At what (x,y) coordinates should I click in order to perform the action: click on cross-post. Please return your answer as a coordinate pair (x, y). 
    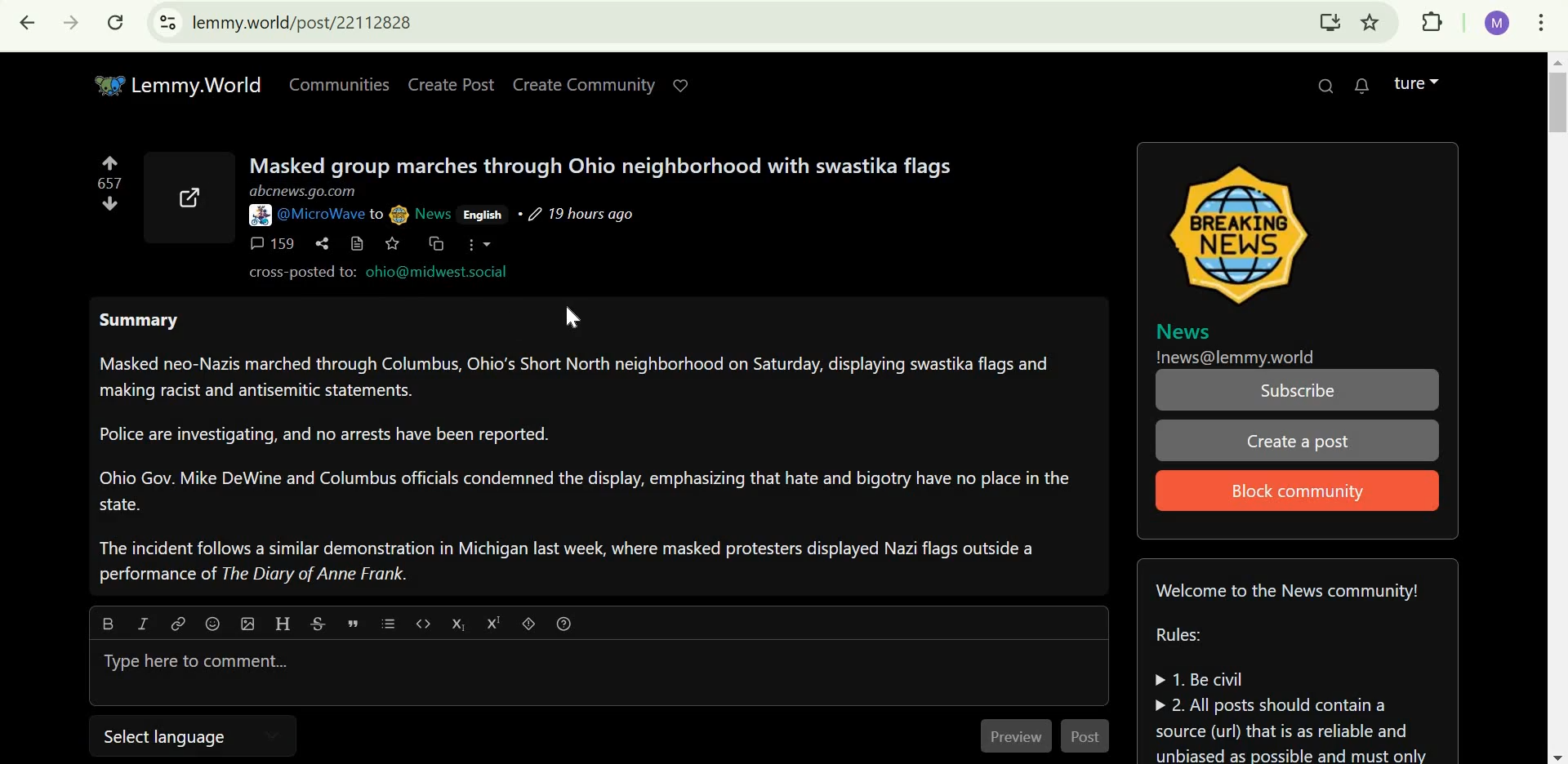
    Looking at the image, I should click on (438, 244).